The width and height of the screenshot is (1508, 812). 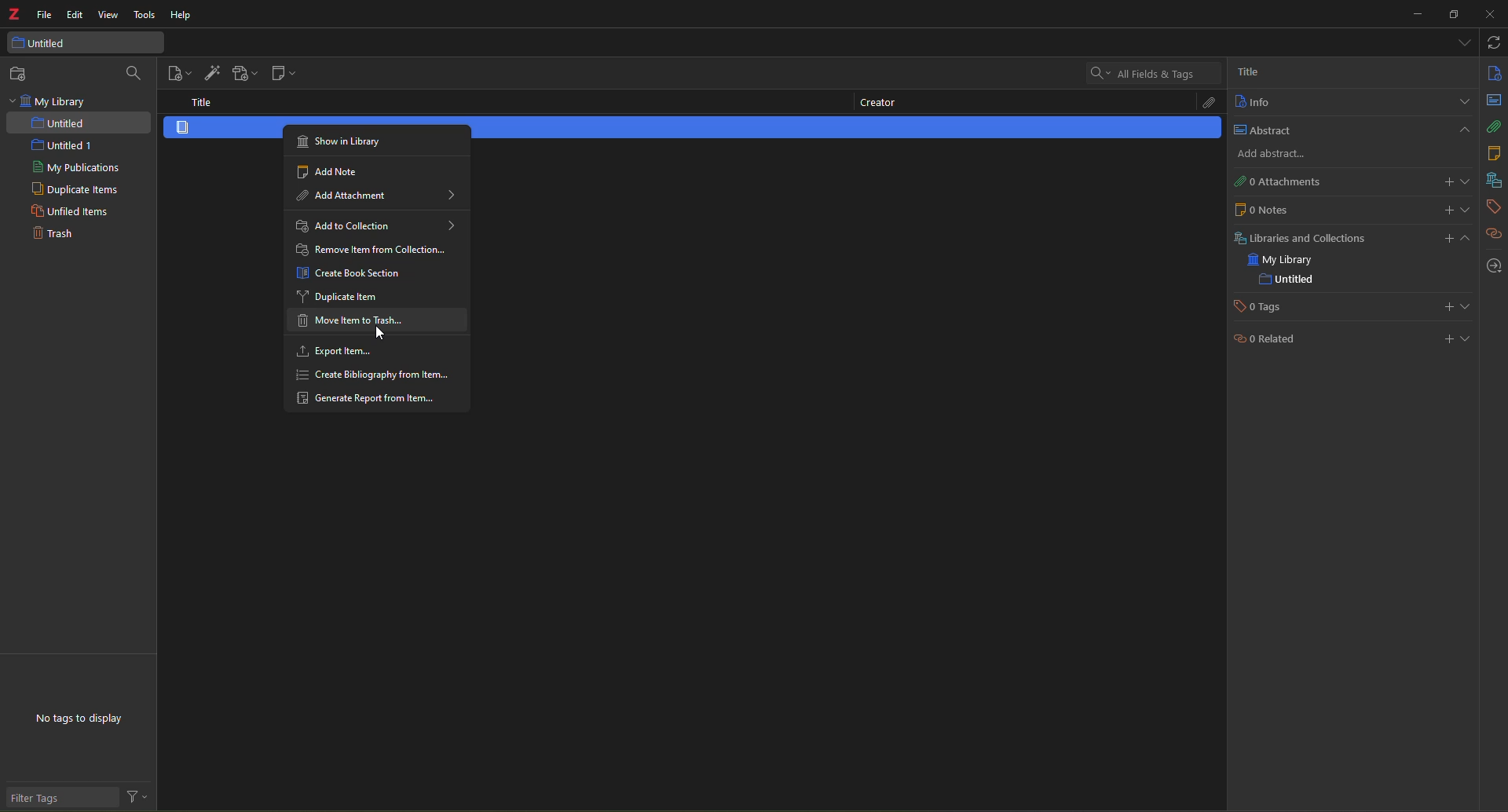 I want to click on actions, so click(x=138, y=798).